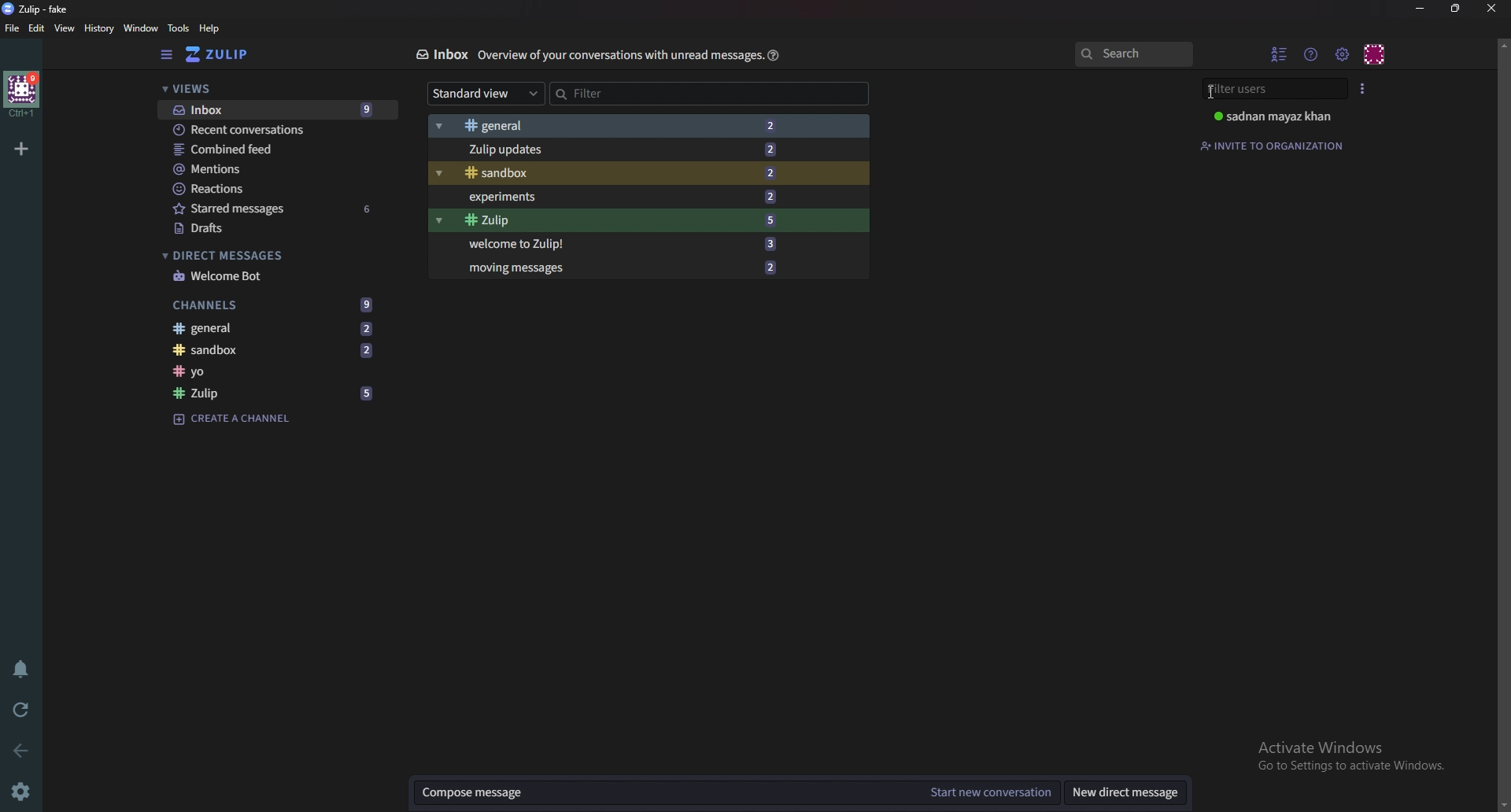  Describe the element at coordinates (274, 275) in the screenshot. I see `welcome bot` at that location.